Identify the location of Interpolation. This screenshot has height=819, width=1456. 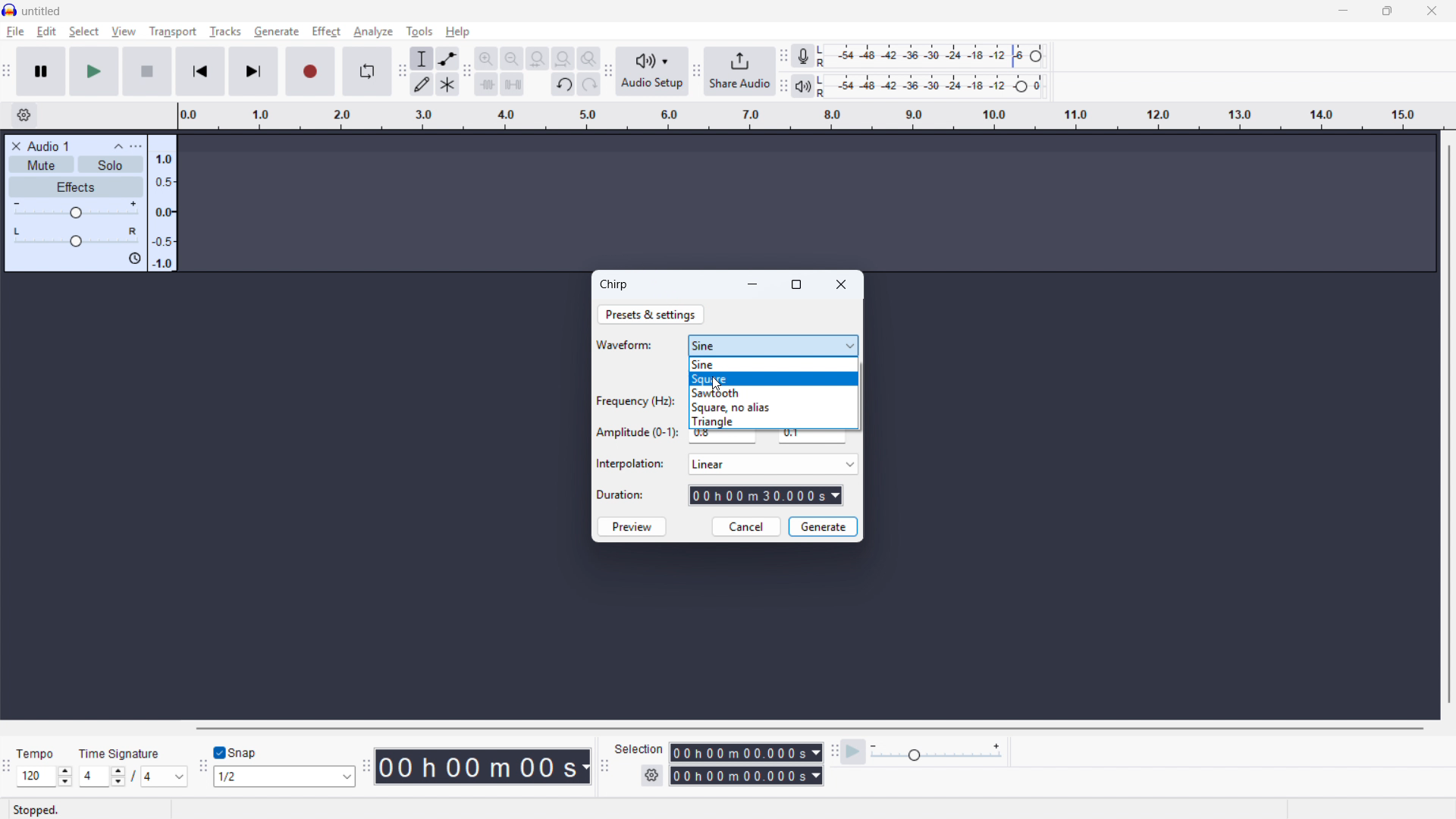
(632, 462).